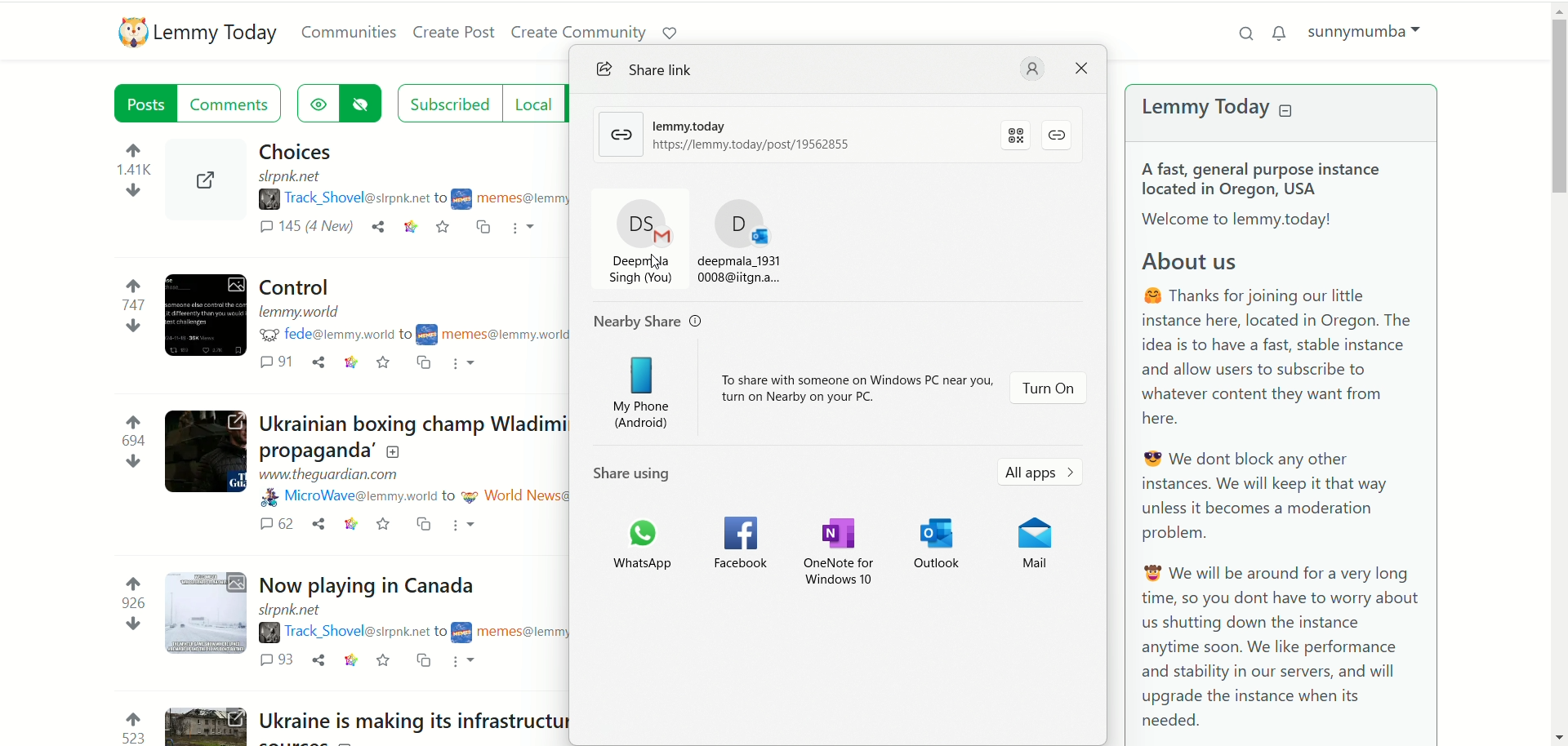 The image size is (1568, 746). I want to click on cross post, so click(481, 229).